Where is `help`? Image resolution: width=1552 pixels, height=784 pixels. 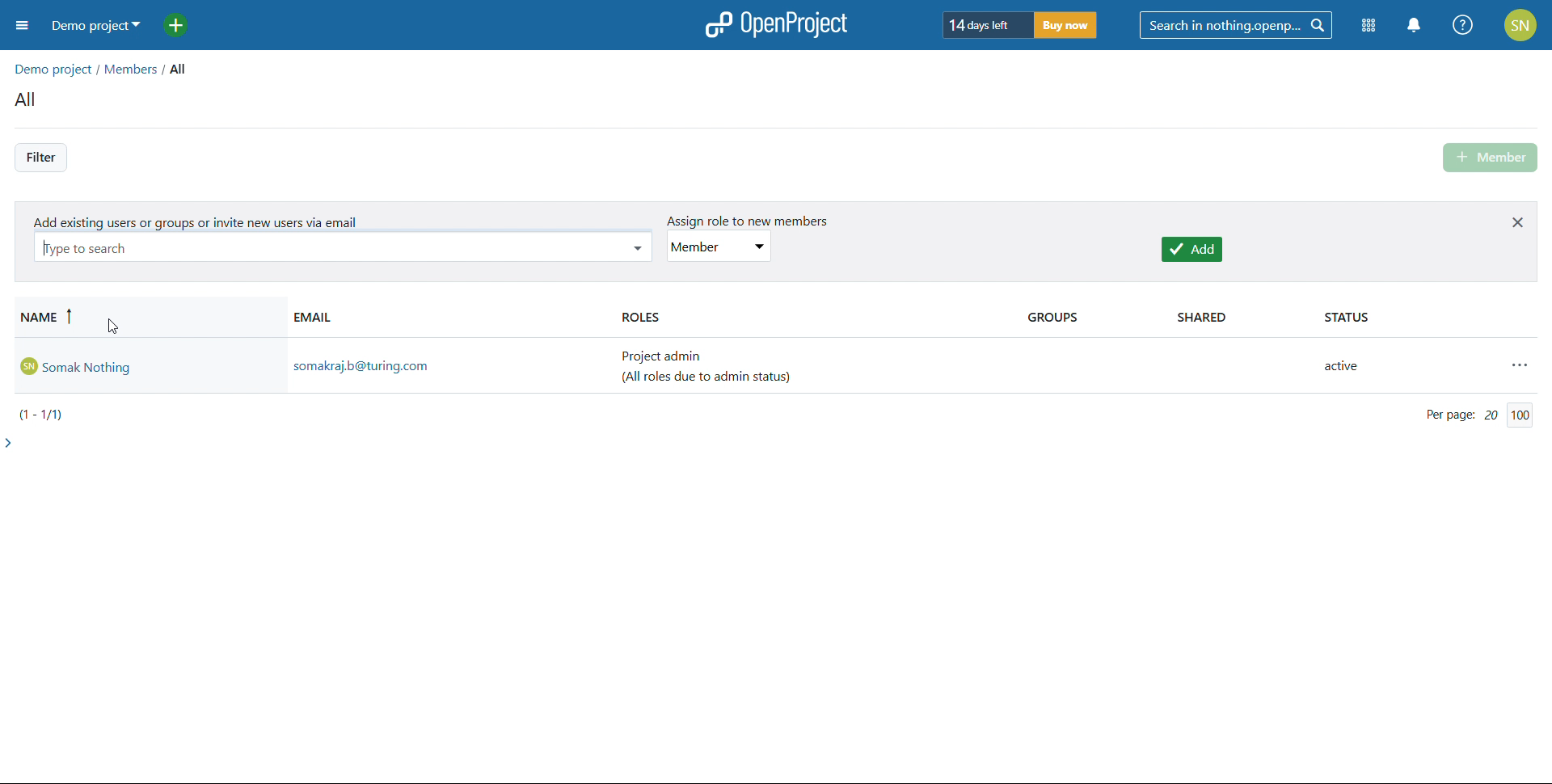 help is located at coordinates (1464, 25).